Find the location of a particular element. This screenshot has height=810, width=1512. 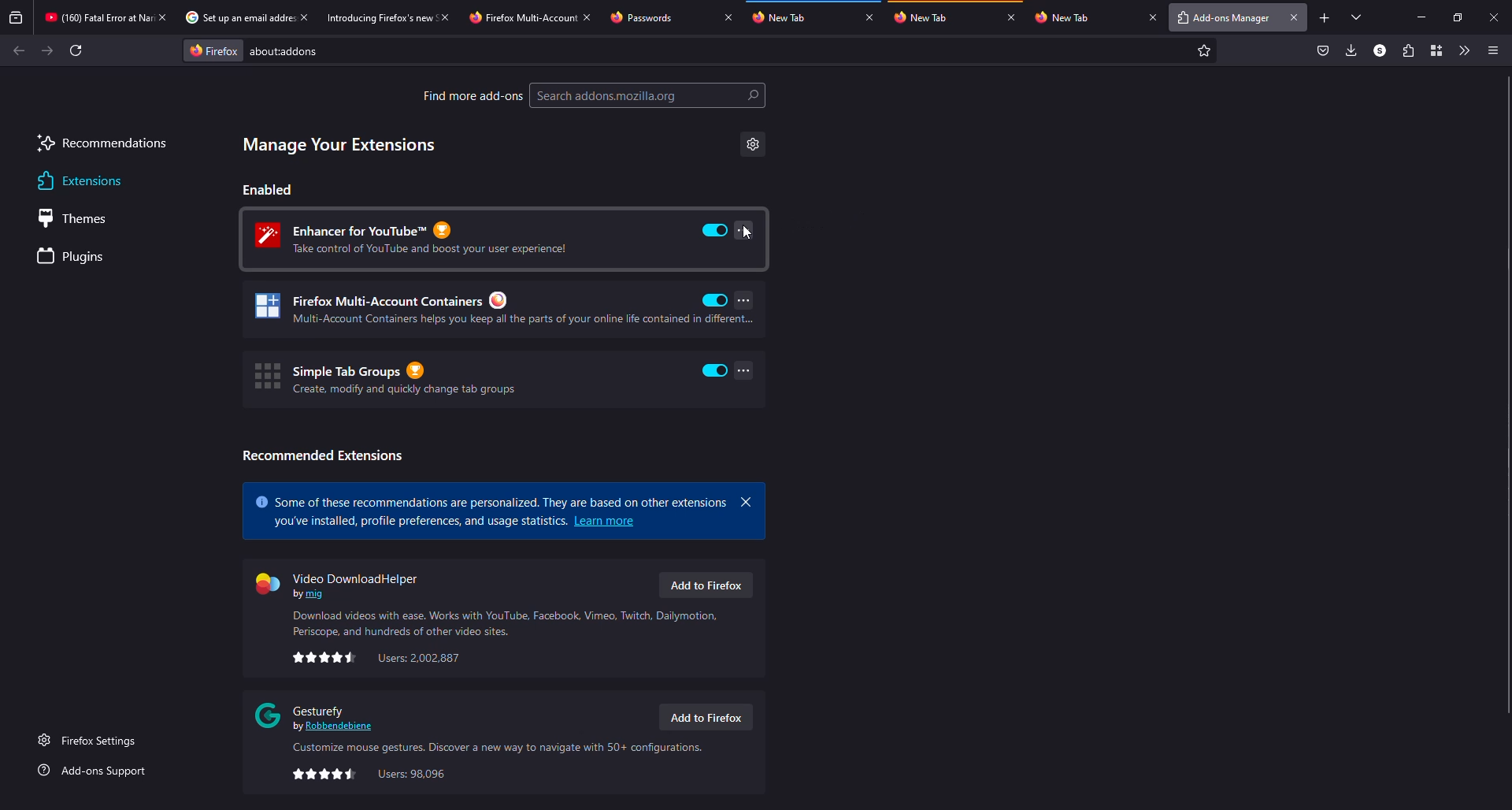

close is located at coordinates (444, 17).